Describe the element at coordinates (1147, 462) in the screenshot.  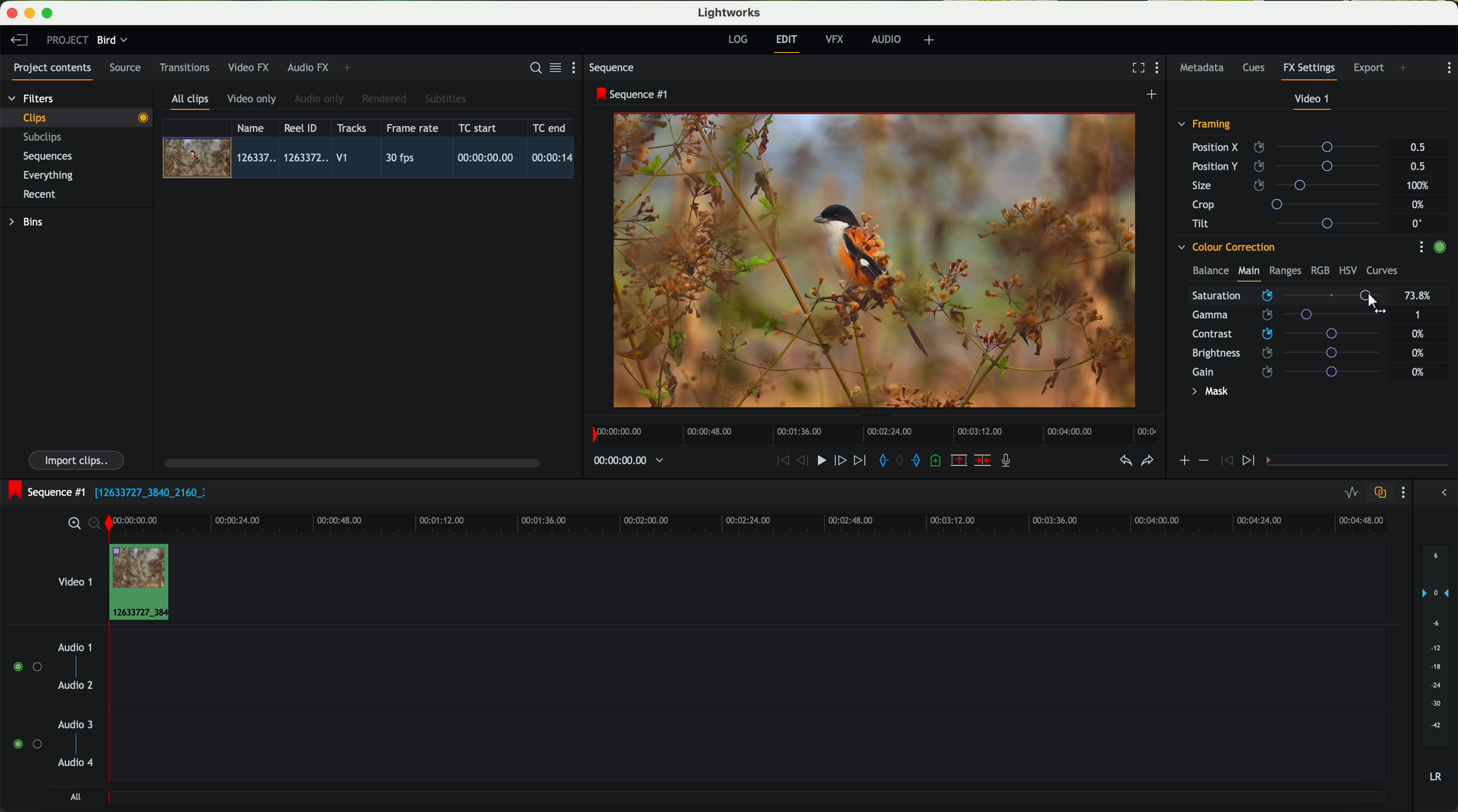
I see `redo` at that location.